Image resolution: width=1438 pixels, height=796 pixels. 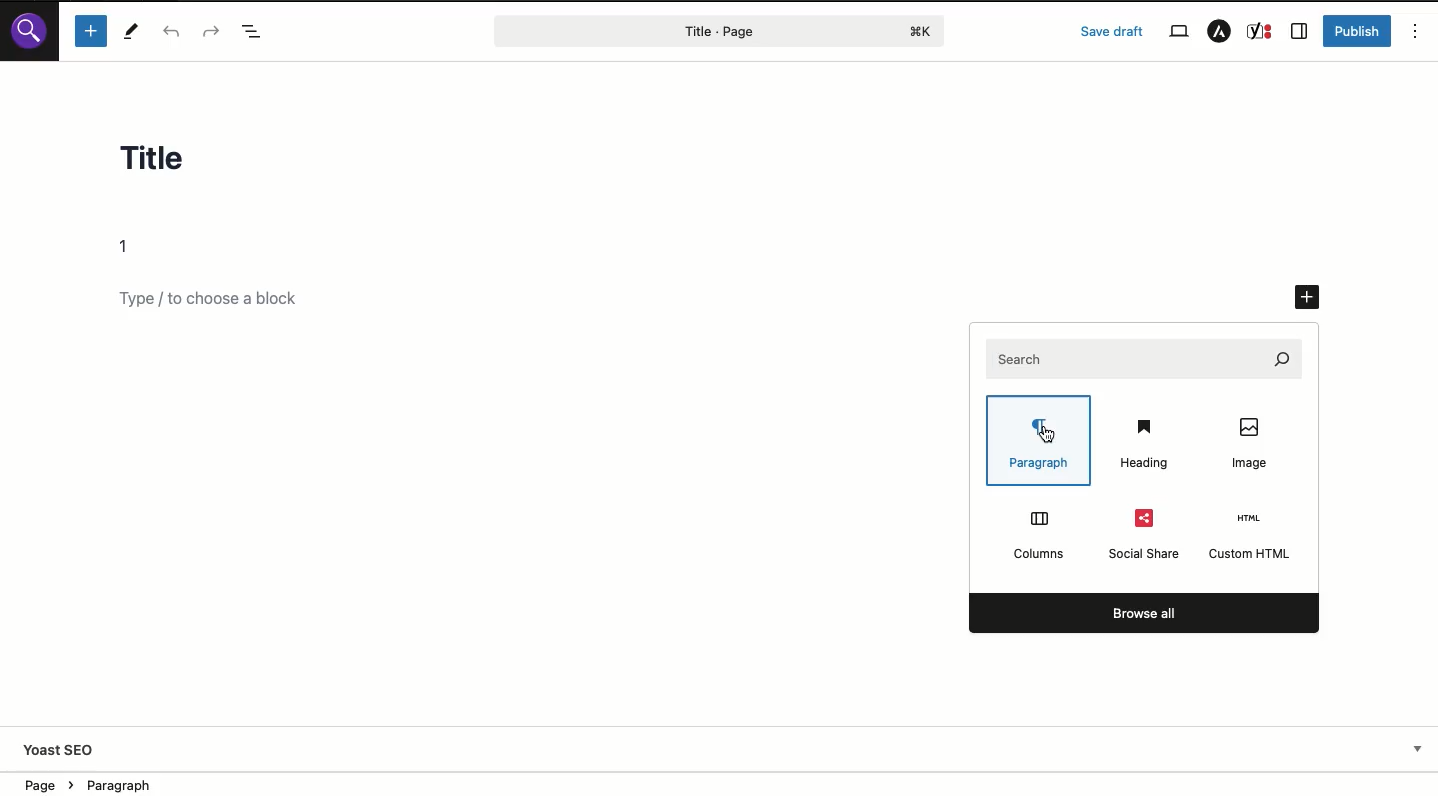 What do you see at coordinates (110, 783) in the screenshot?
I see `Location` at bounding box center [110, 783].